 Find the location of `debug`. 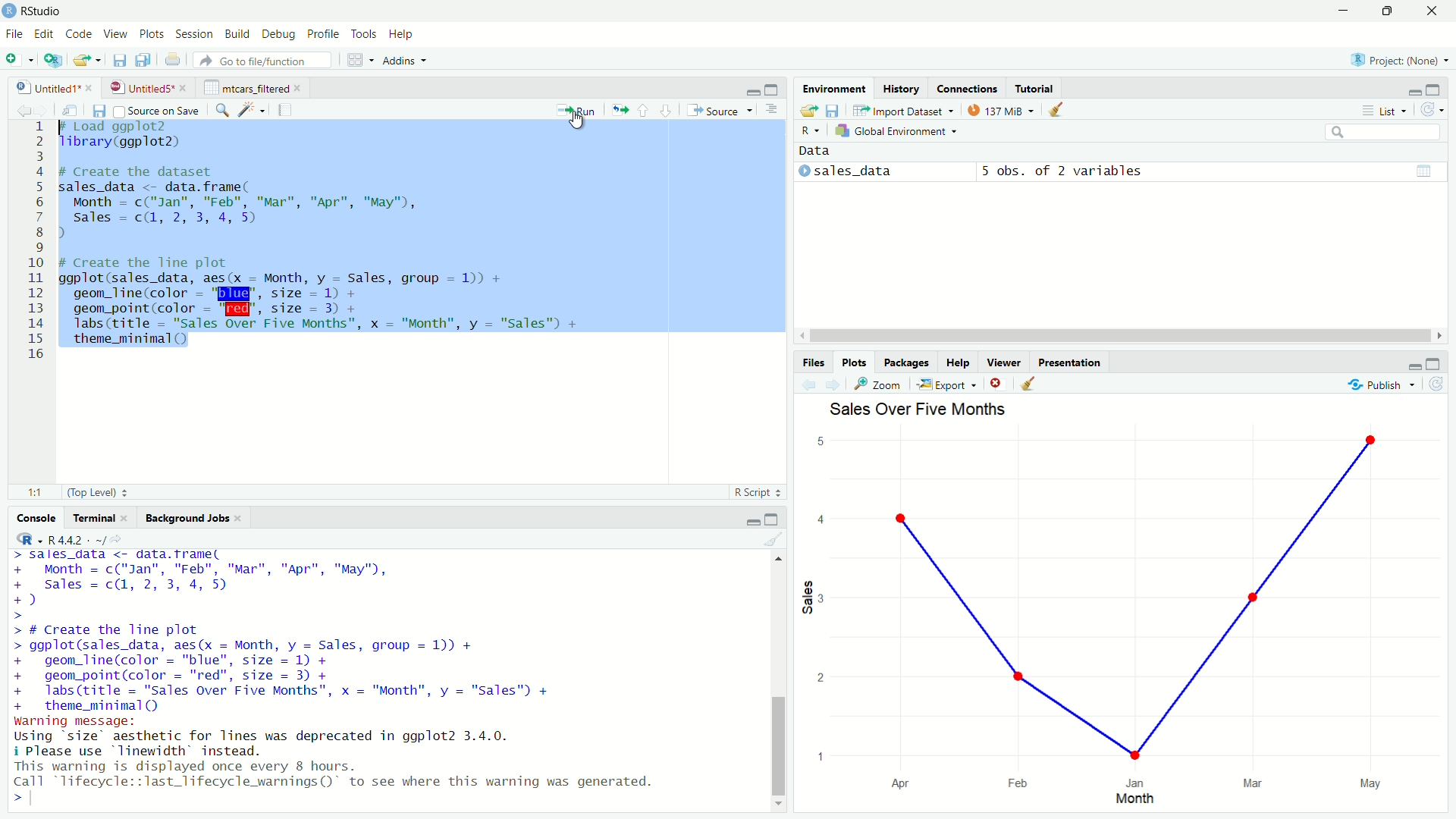

debug is located at coordinates (279, 36).